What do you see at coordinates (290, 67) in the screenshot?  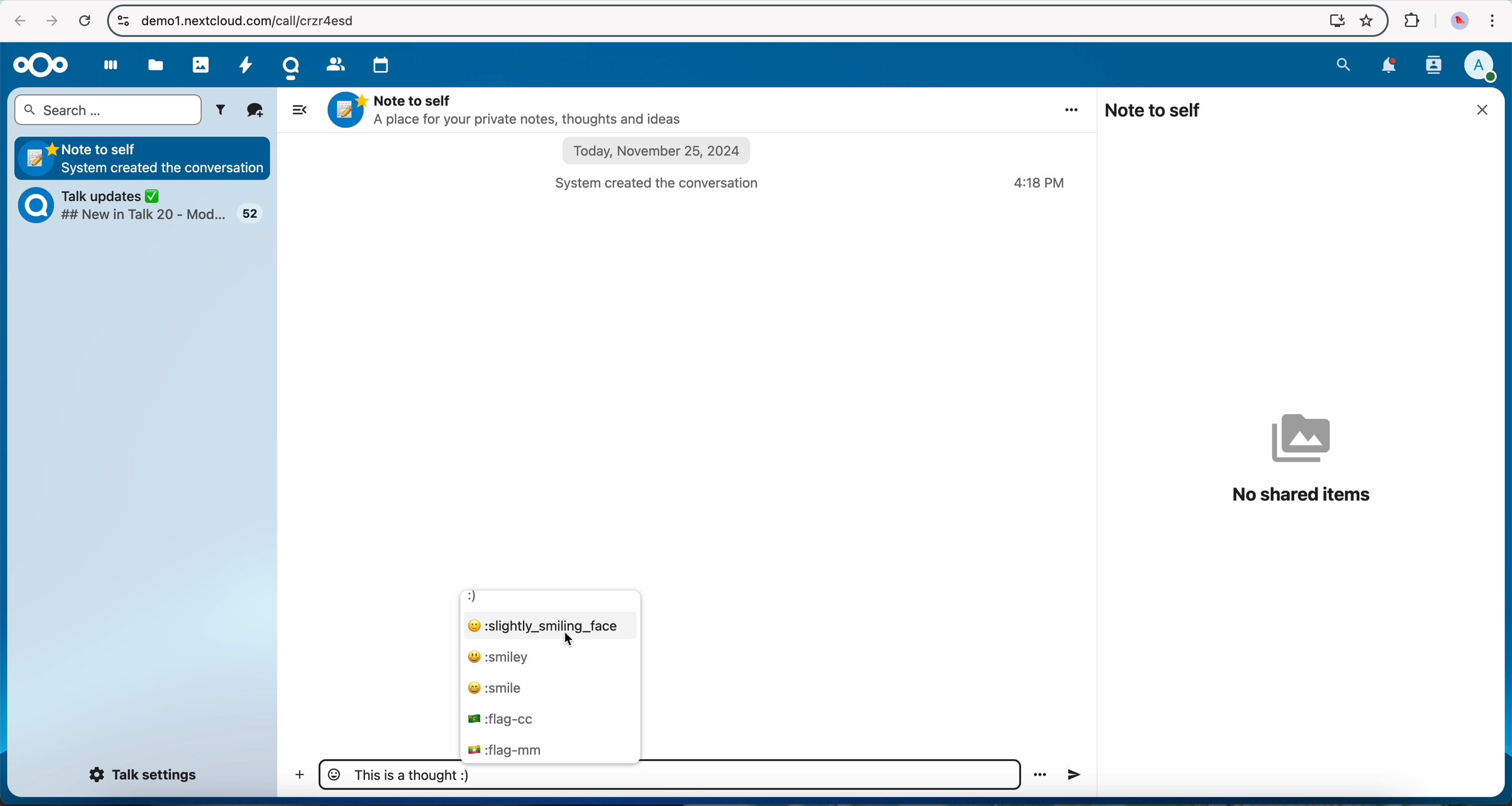 I see `Talk` at bounding box center [290, 67].